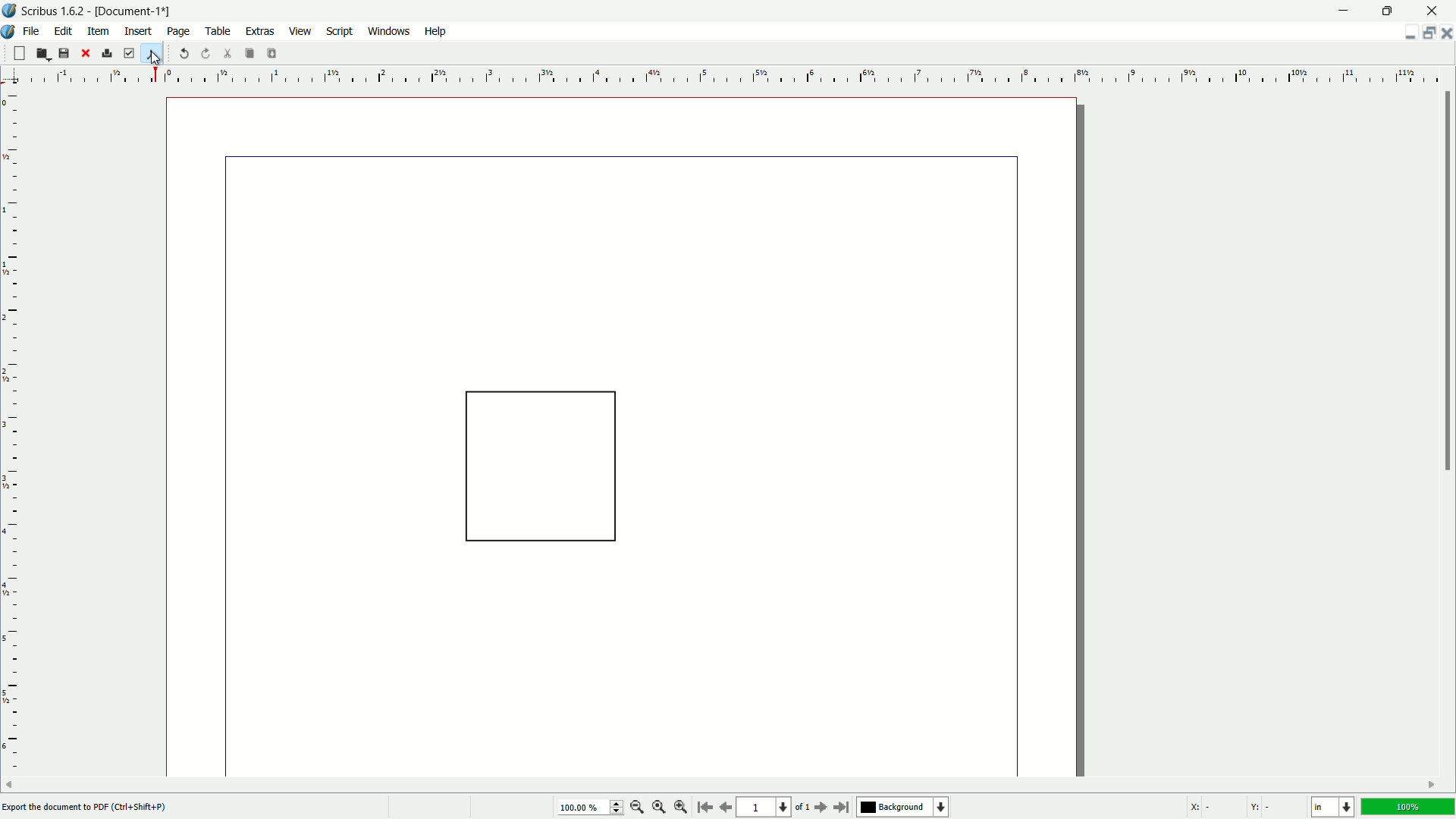  I want to click on 100.00%, so click(592, 808).